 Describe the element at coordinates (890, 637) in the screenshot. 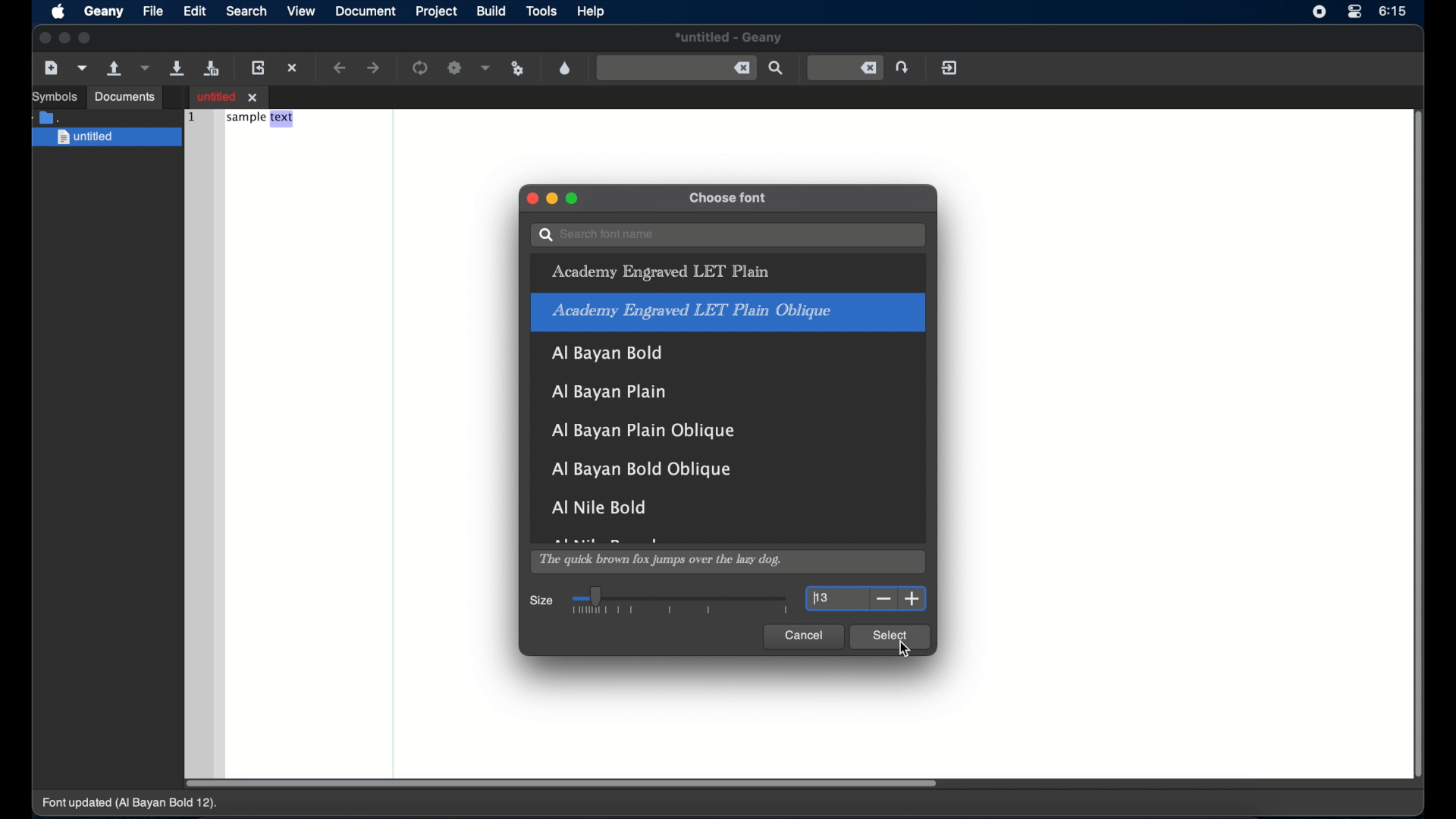

I see `select` at that location.